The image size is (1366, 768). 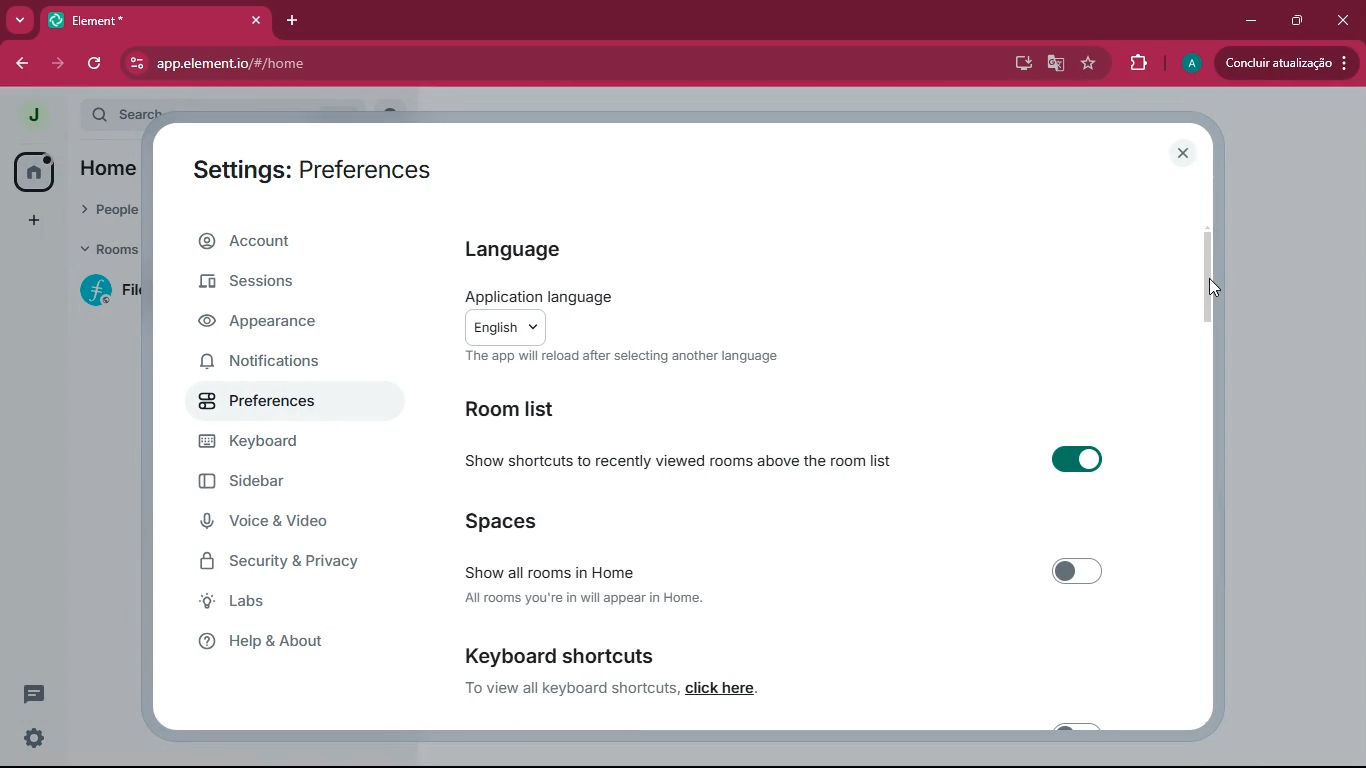 I want to click on room list, so click(x=530, y=407).